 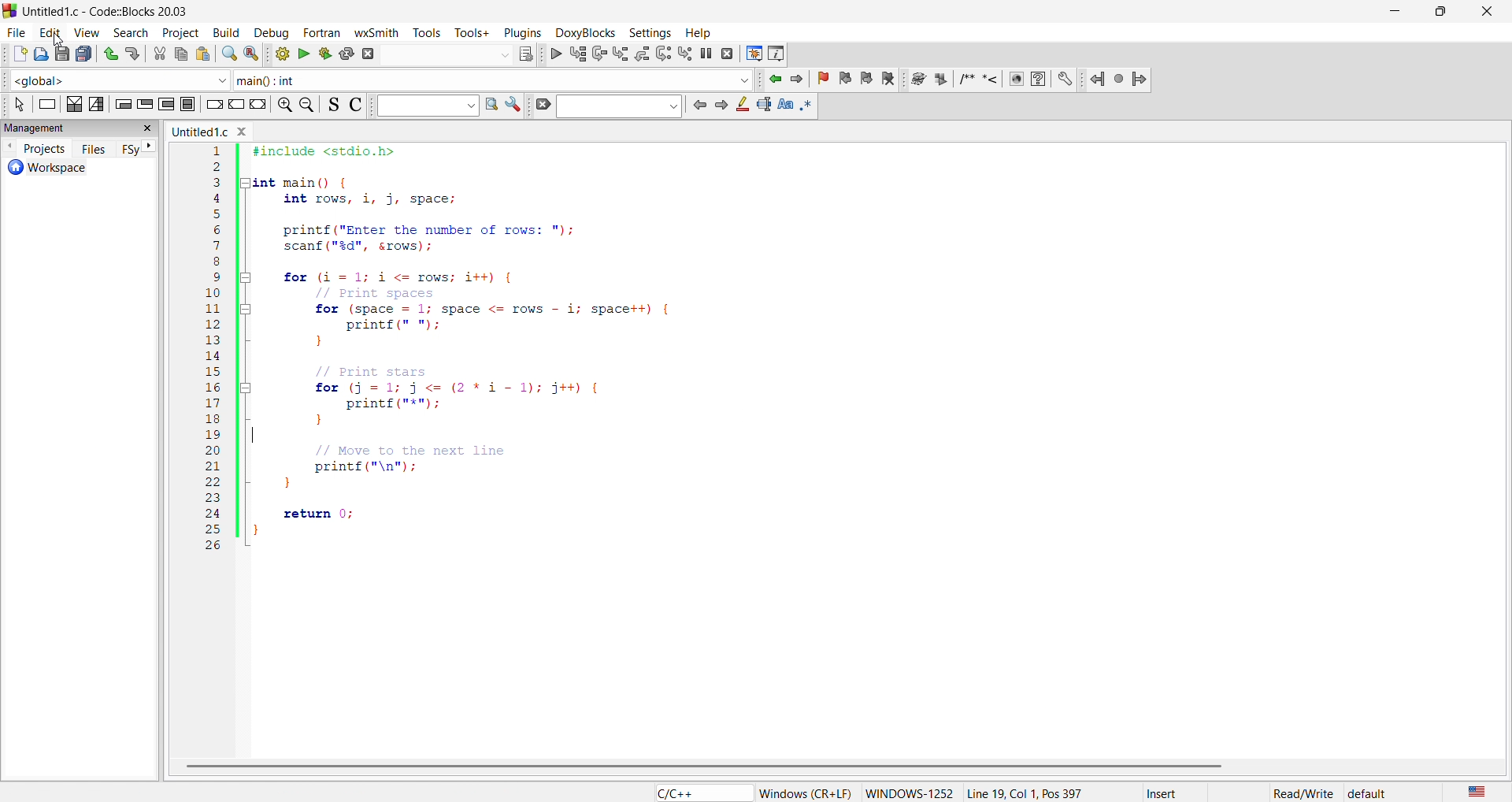 I want to click on settings, so click(x=513, y=106).